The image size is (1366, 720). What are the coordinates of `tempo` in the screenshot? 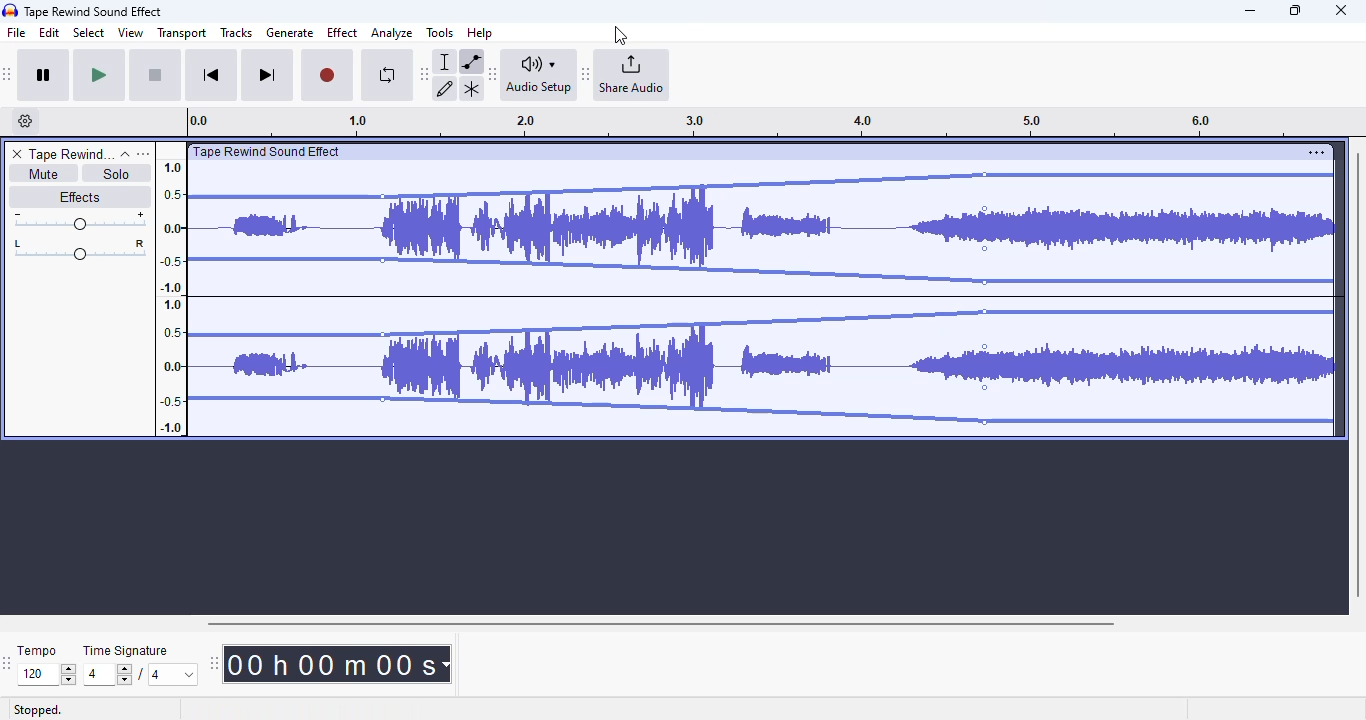 It's located at (37, 650).